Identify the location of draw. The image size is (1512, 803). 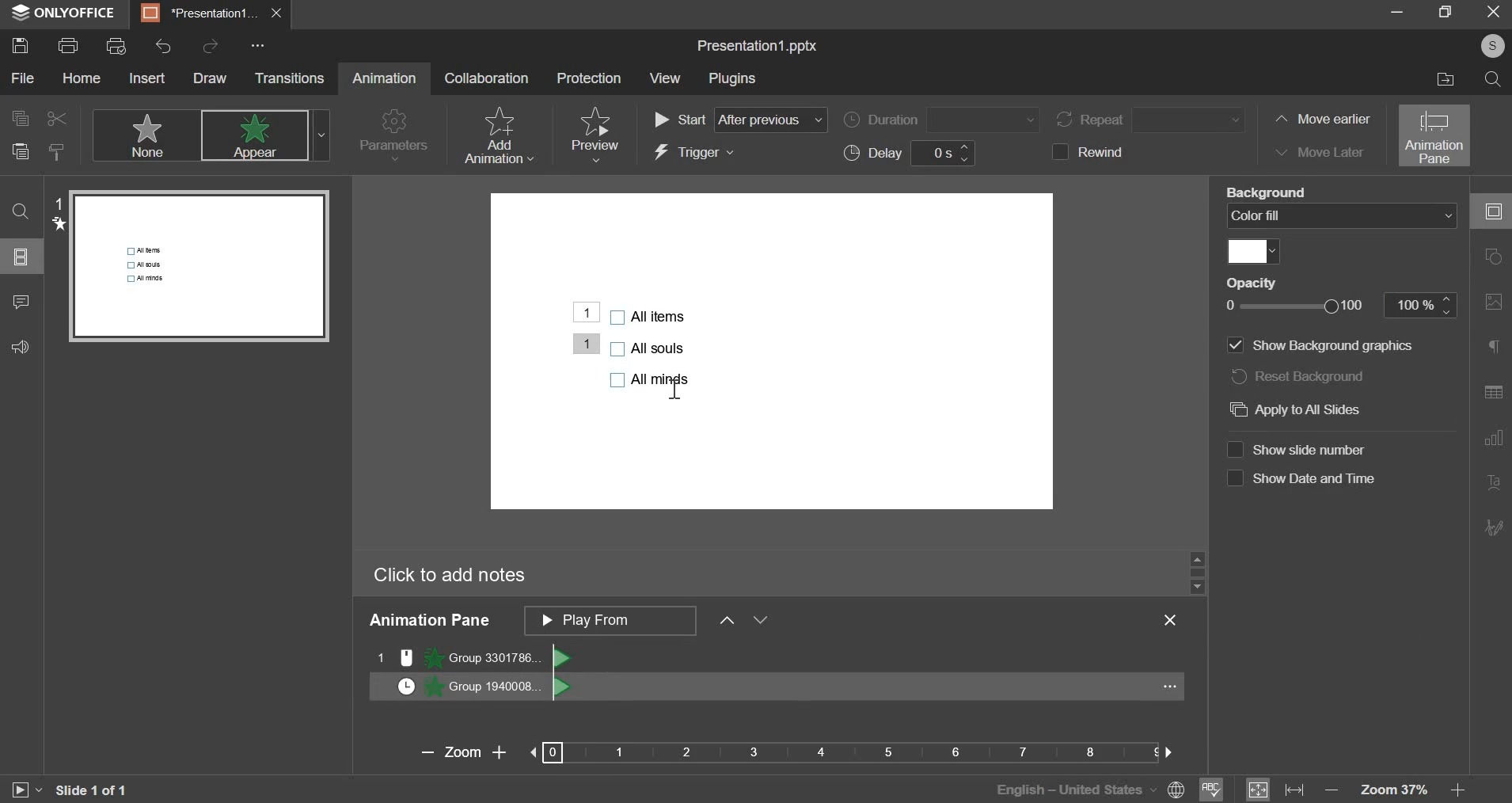
(210, 78).